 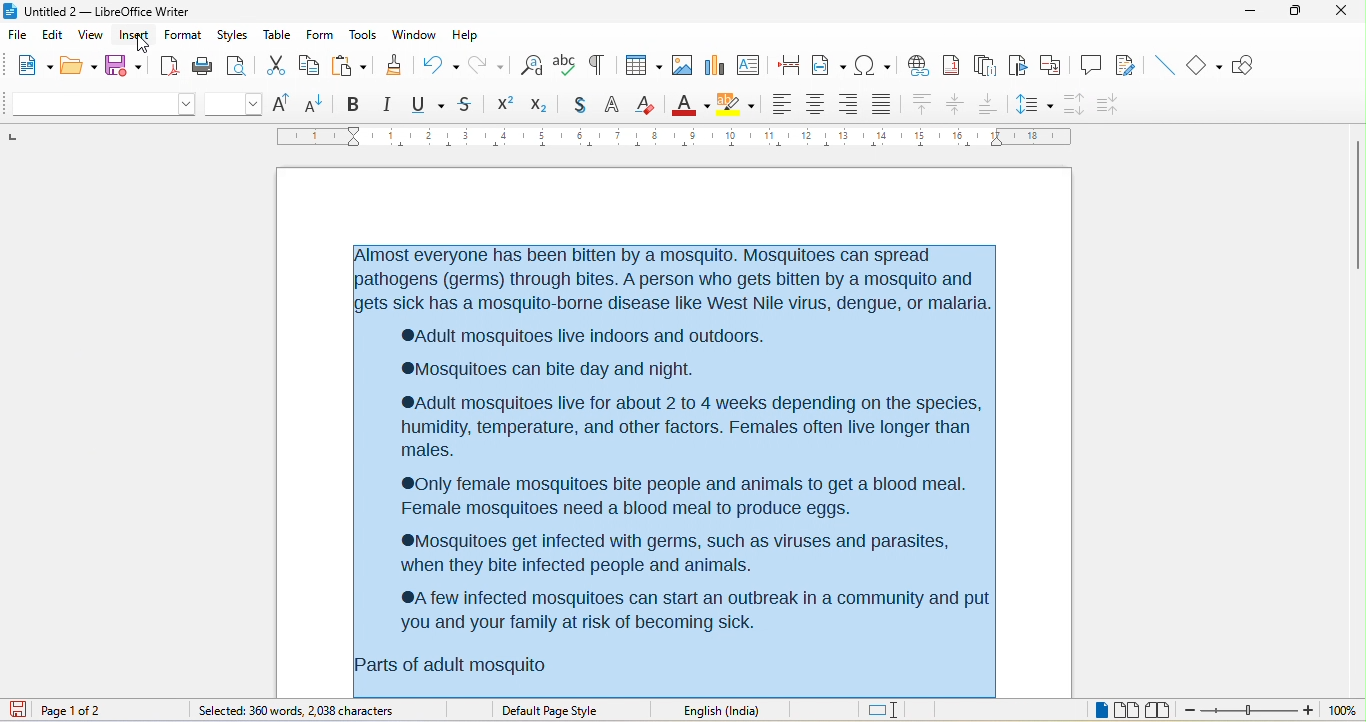 What do you see at coordinates (1102, 710) in the screenshot?
I see `single page view` at bounding box center [1102, 710].